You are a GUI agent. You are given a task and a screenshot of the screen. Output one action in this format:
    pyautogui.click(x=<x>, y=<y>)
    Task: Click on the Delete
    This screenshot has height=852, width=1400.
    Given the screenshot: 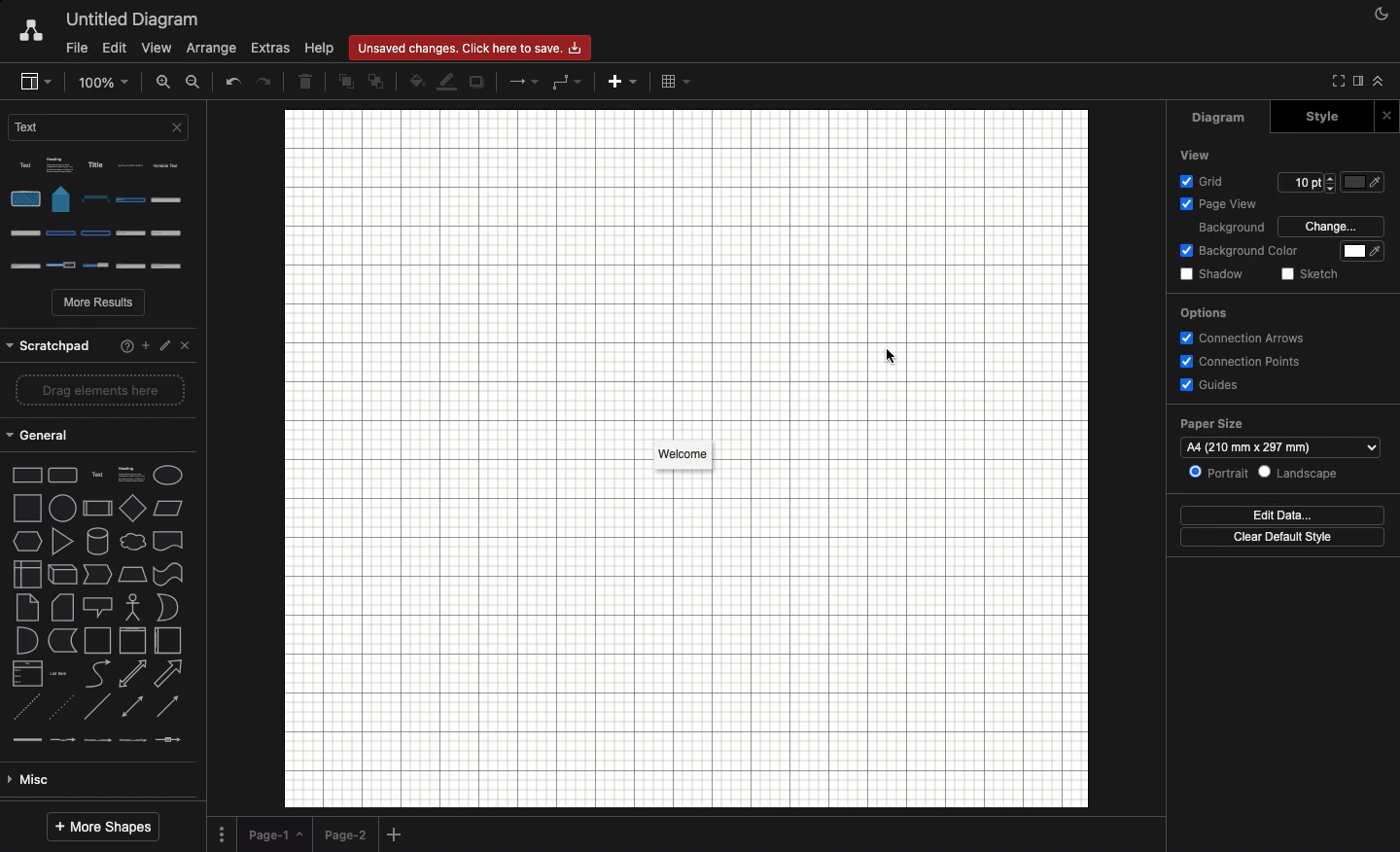 What is the action you would take?
    pyautogui.click(x=305, y=81)
    